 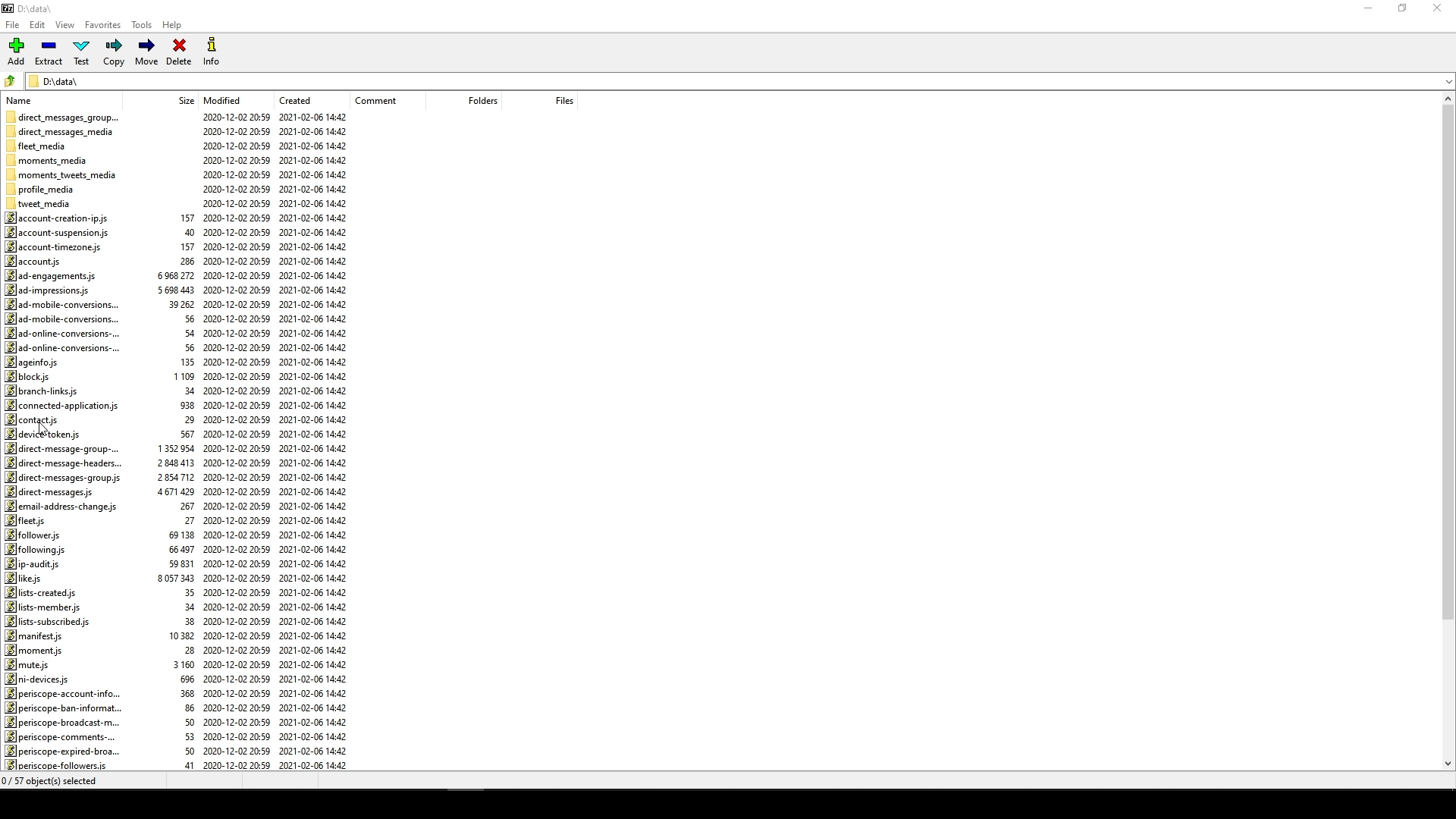 I want to click on tweet_media, so click(x=47, y=203).